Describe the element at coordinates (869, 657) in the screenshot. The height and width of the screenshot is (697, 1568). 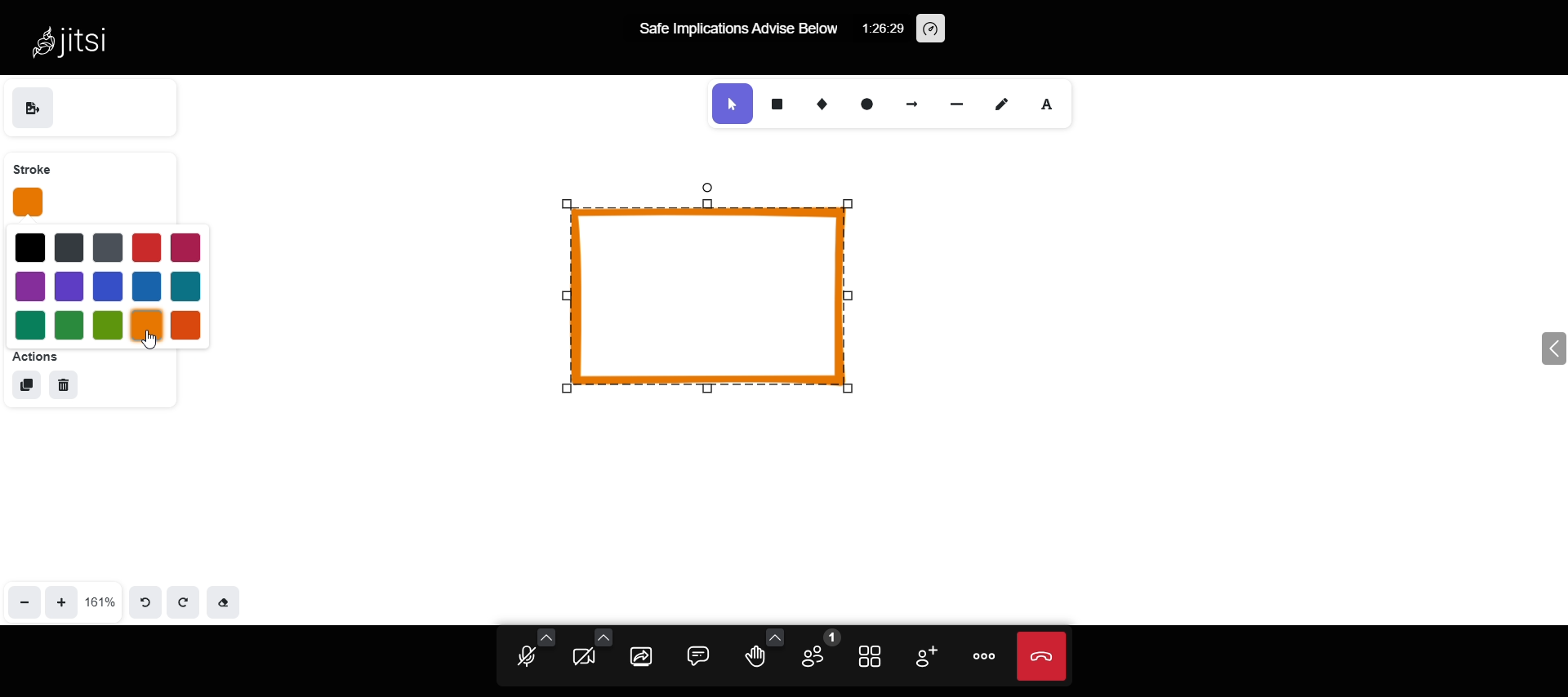
I see `tile view` at that location.